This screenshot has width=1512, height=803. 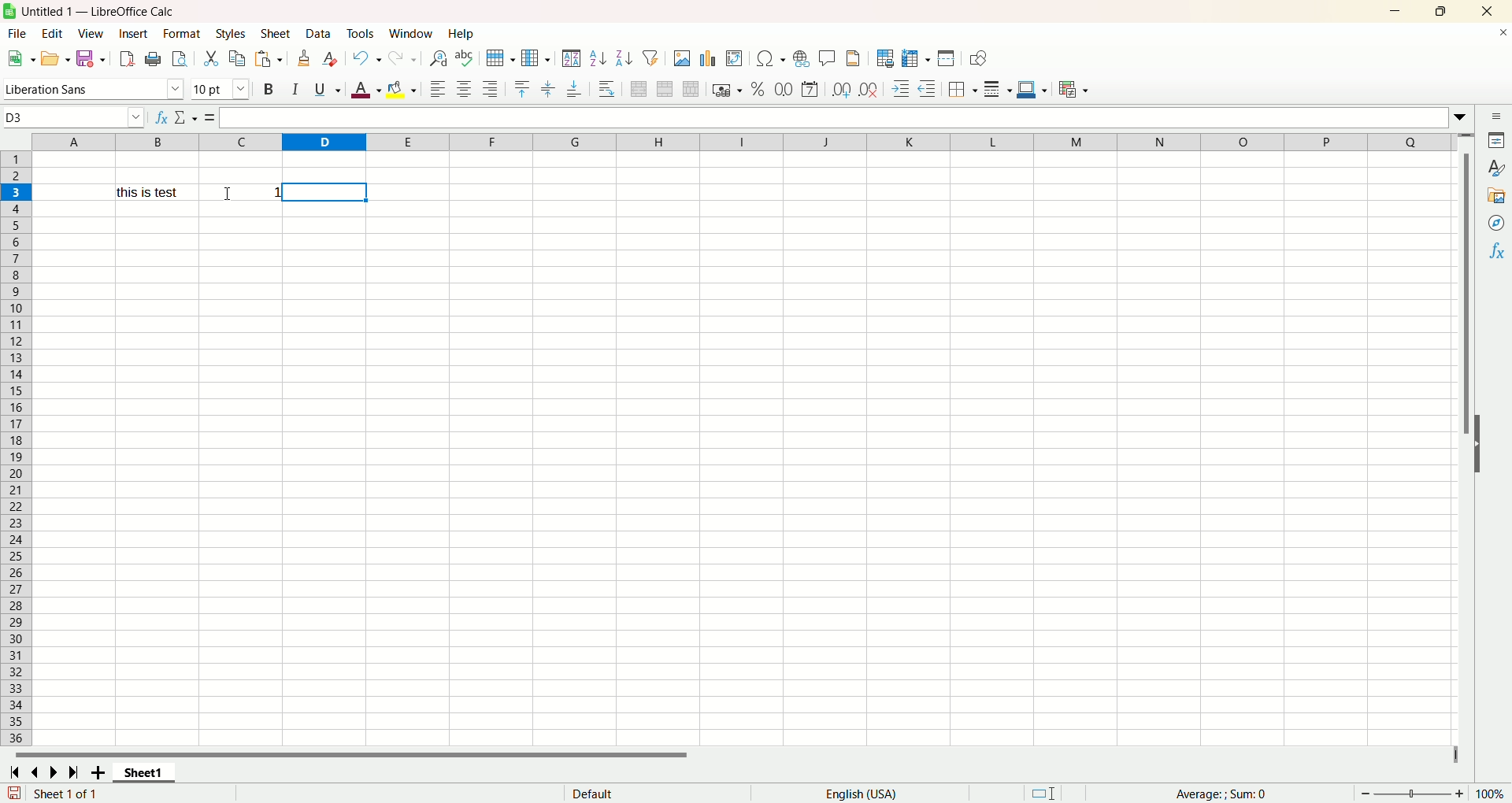 What do you see at coordinates (1497, 222) in the screenshot?
I see `navigator` at bounding box center [1497, 222].